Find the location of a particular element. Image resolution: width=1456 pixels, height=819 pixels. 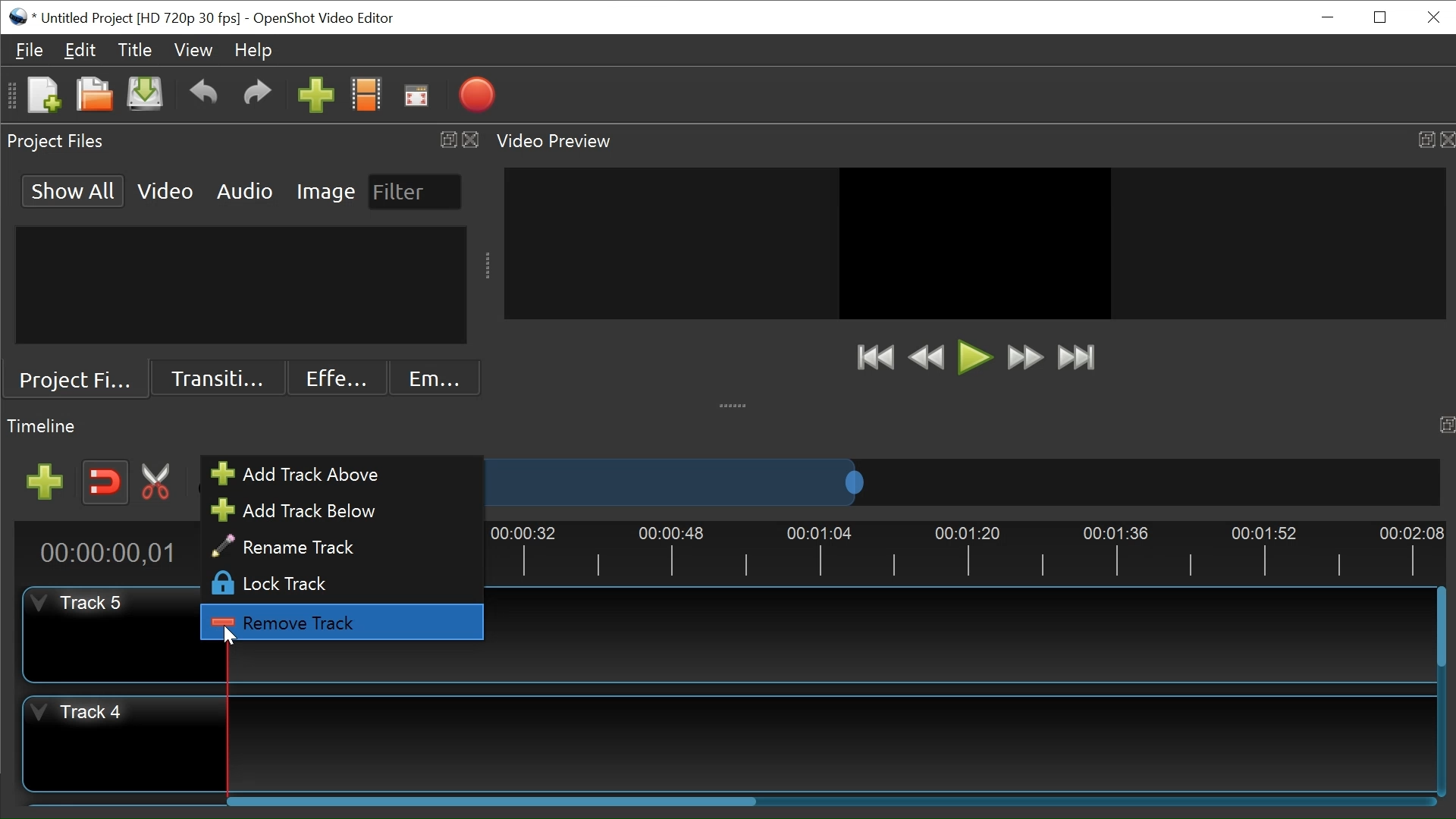

Timeline is located at coordinates (966, 551).